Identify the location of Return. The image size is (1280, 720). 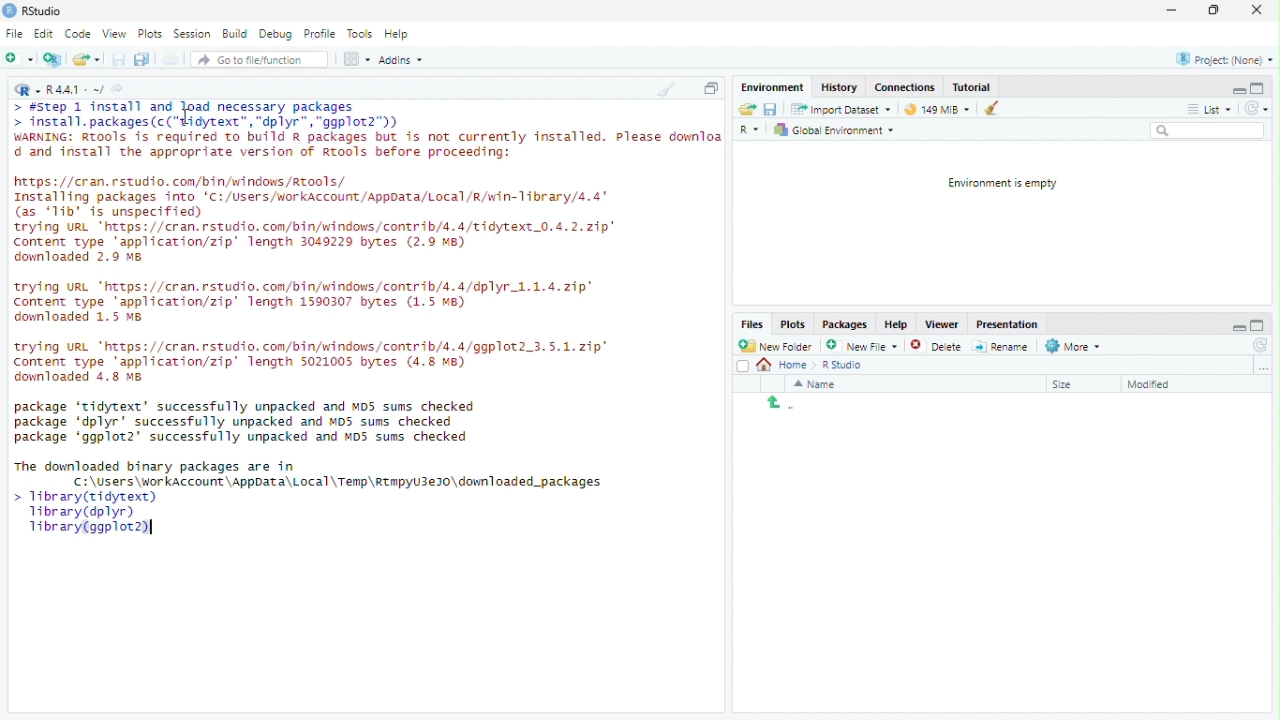
(781, 404).